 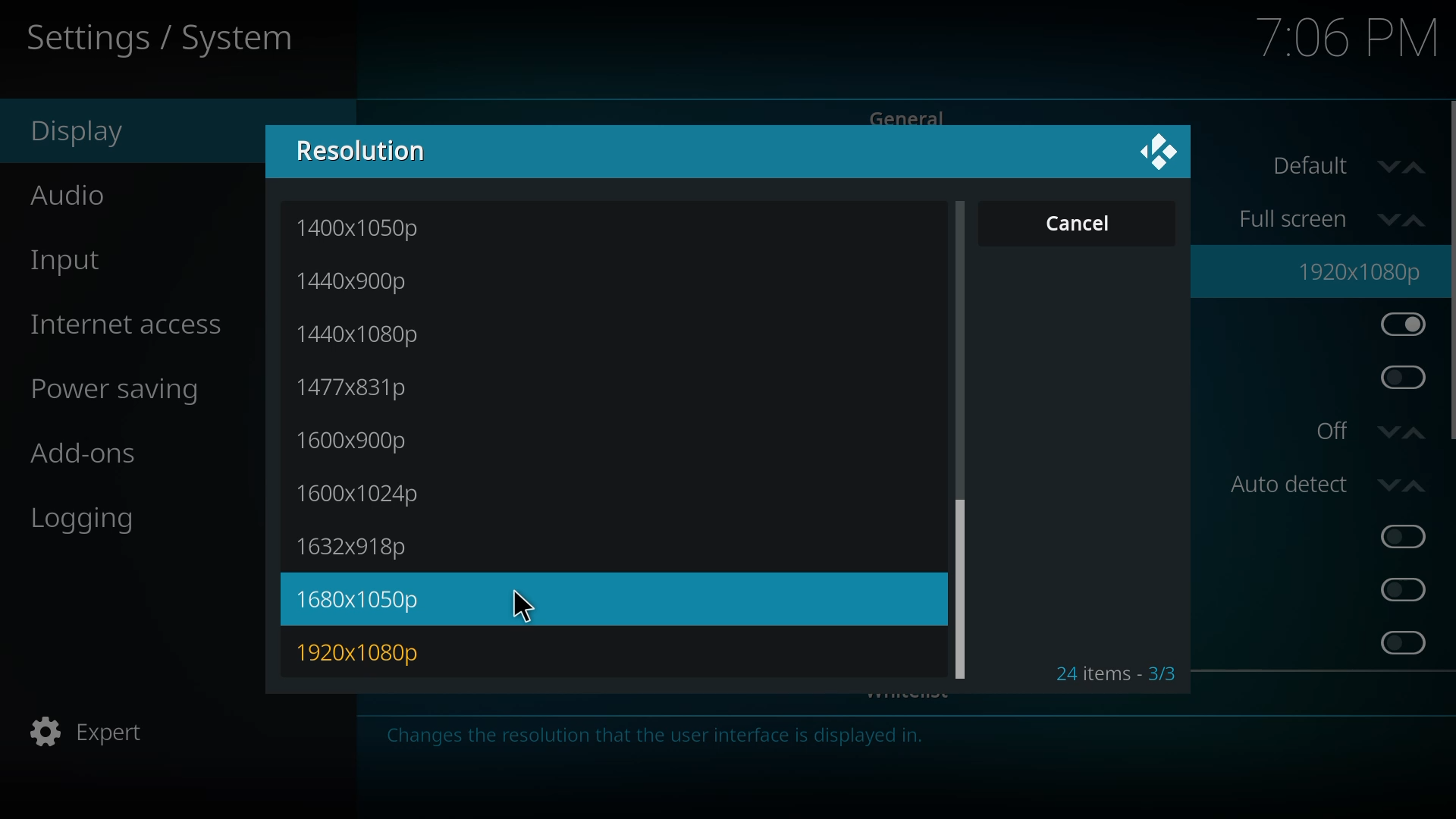 I want to click on expert, so click(x=97, y=731).